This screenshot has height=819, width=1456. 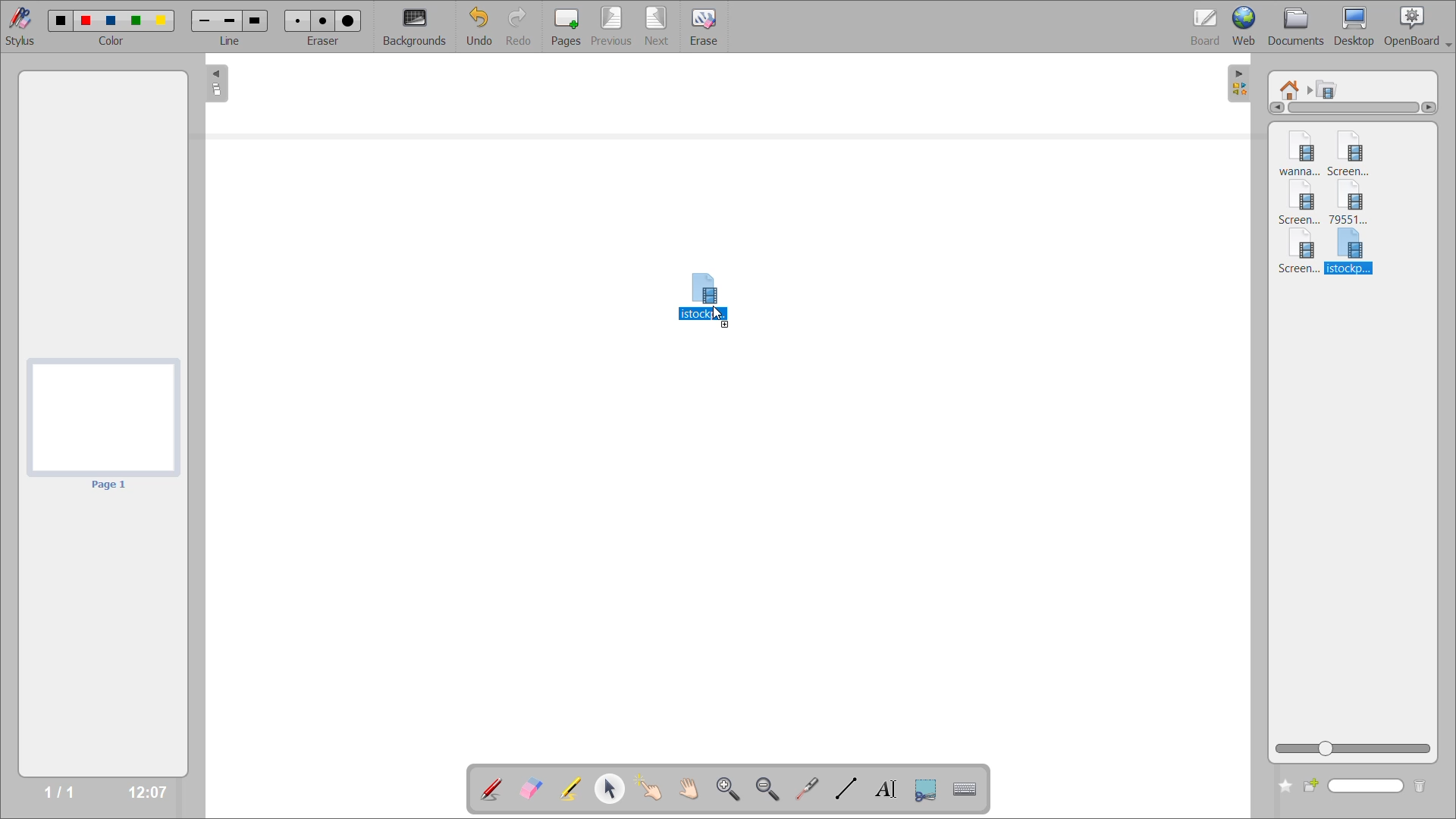 I want to click on highlight, so click(x=569, y=786).